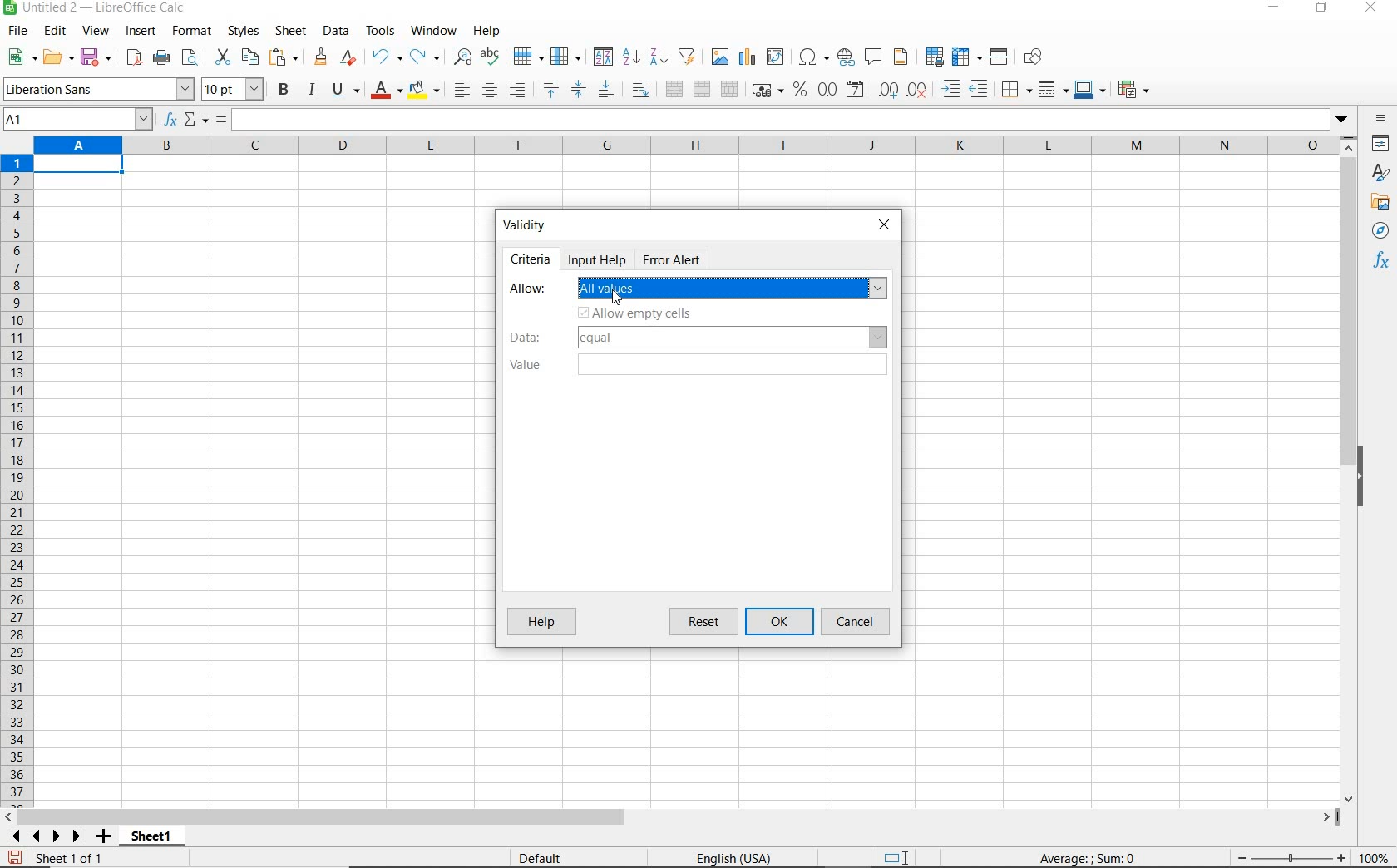  Describe the element at coordinates (874, 57) in the screenshot. I see `insert comment ` at that location.